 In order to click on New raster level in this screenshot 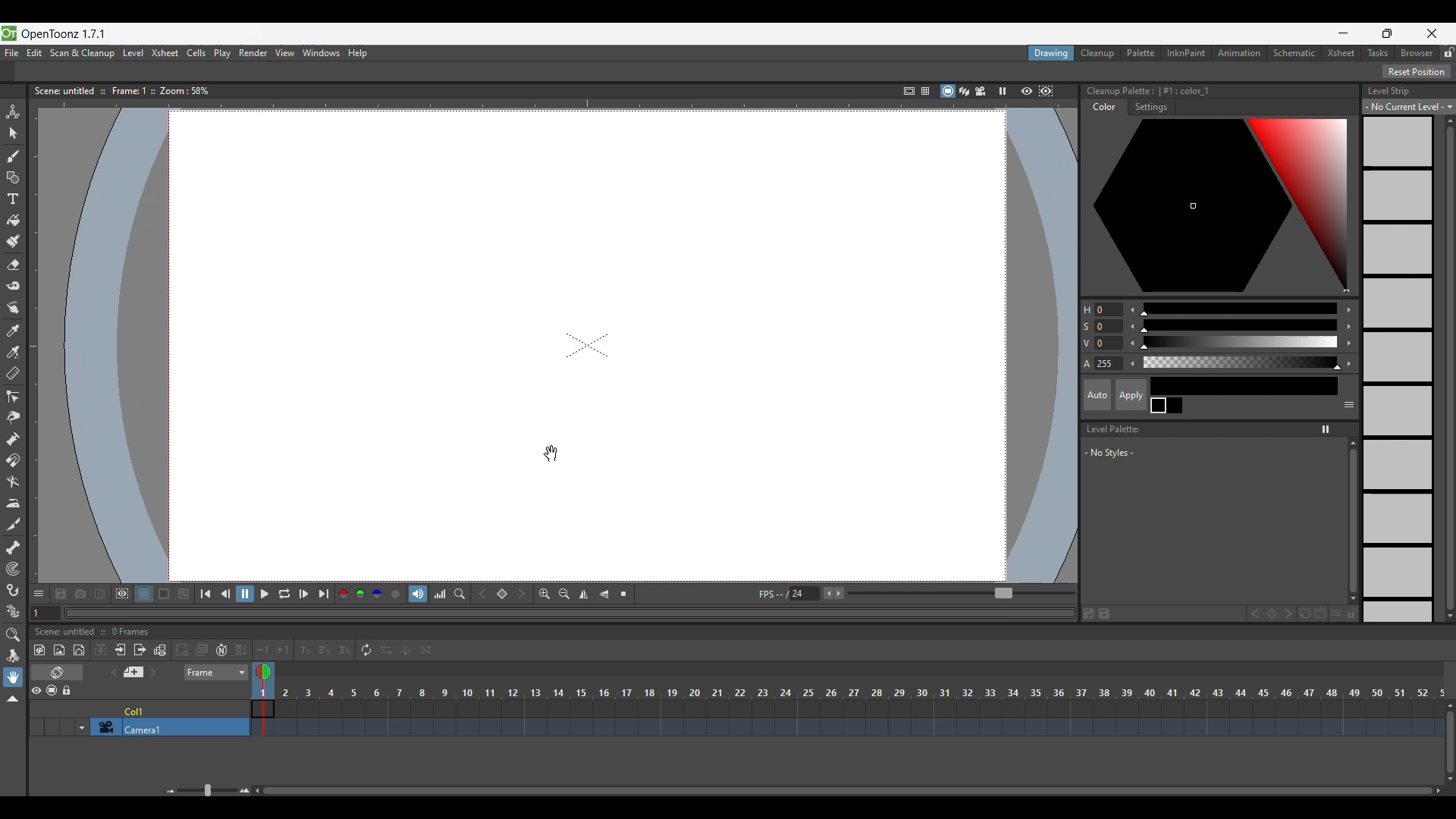, I will do `click(58, 649)`.